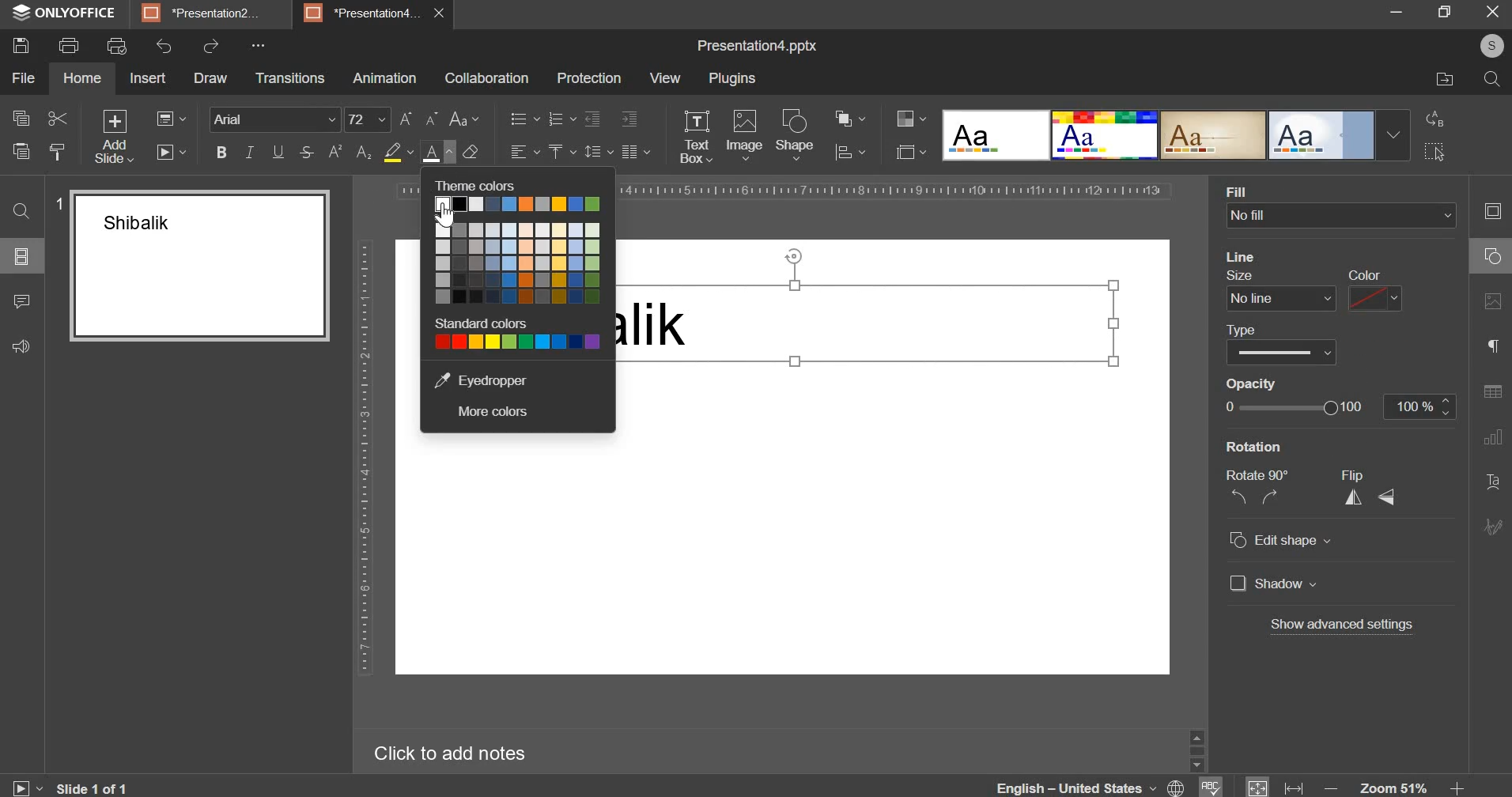 This screenshot has width=1512, height=797. I want to click on chart, so click(1489, 444).